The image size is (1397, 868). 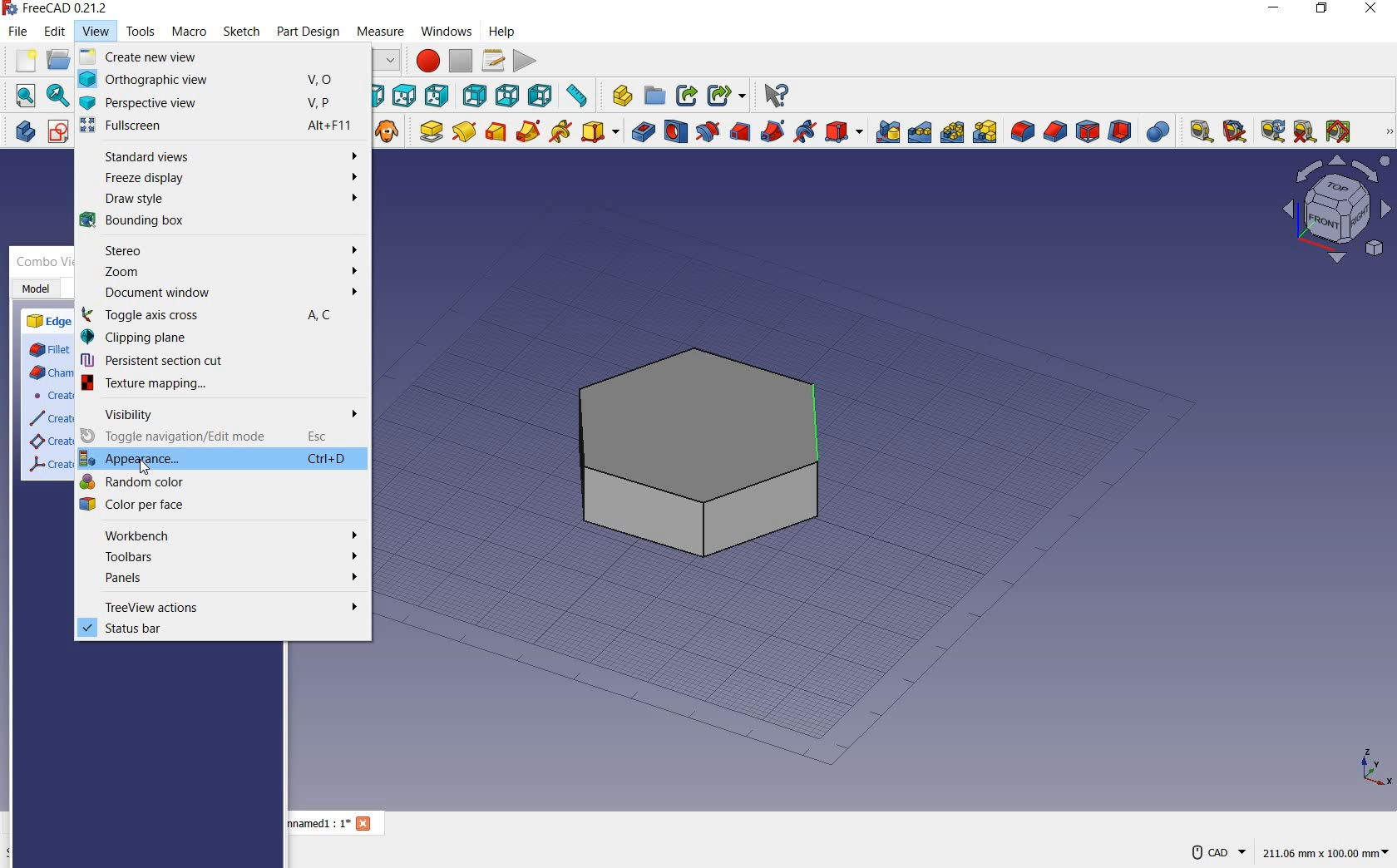 What do you see at coordinates (221, 437) in the screenshot?
I see `toggle navigation/edit mode Esc` at bounding box center [221, 437].